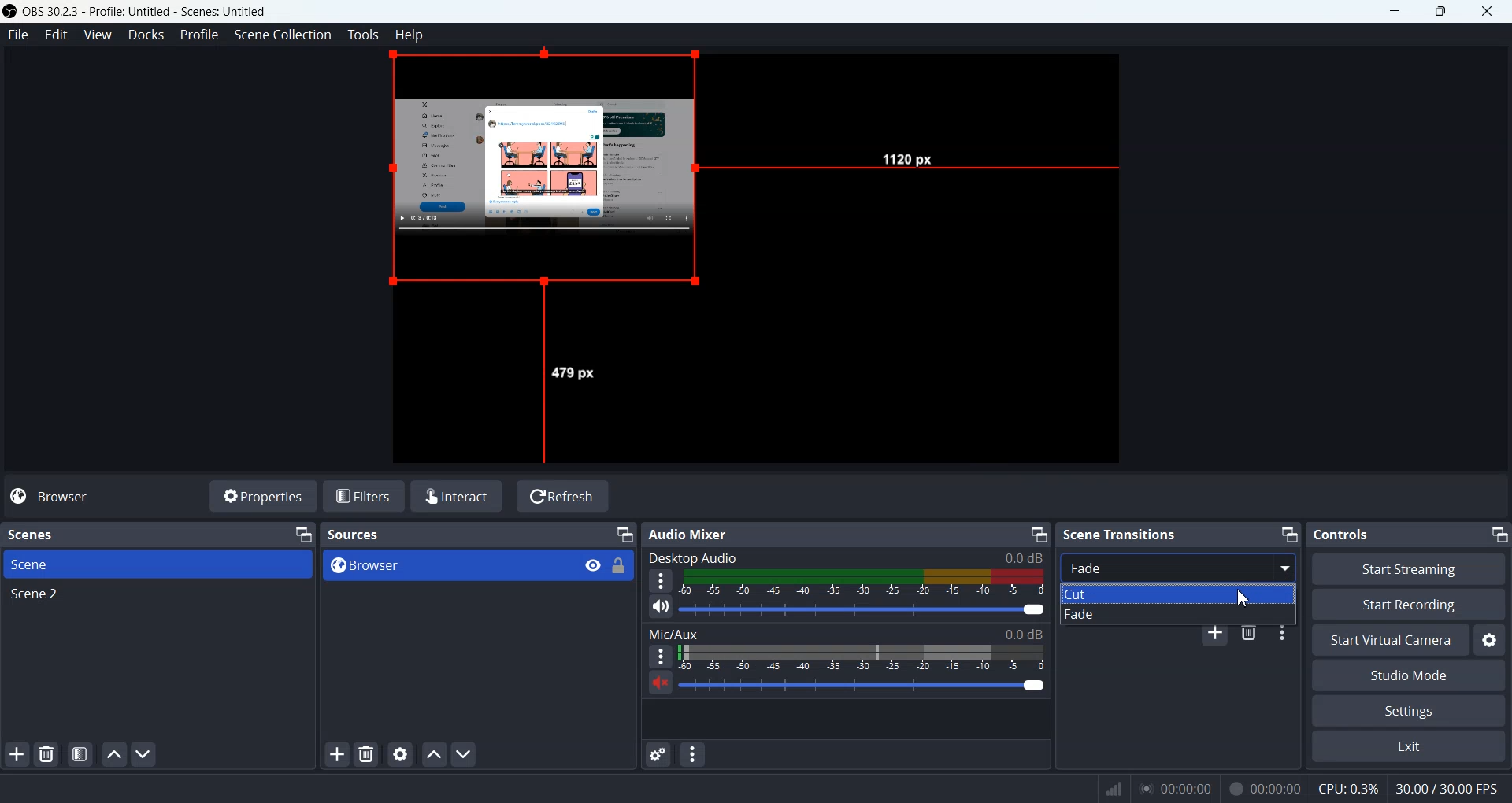 The width and height of the screenshot is (1512, 803). Describe the element at coordinates (1395, 11) in the screenshot. I see `Minimize` at that location.